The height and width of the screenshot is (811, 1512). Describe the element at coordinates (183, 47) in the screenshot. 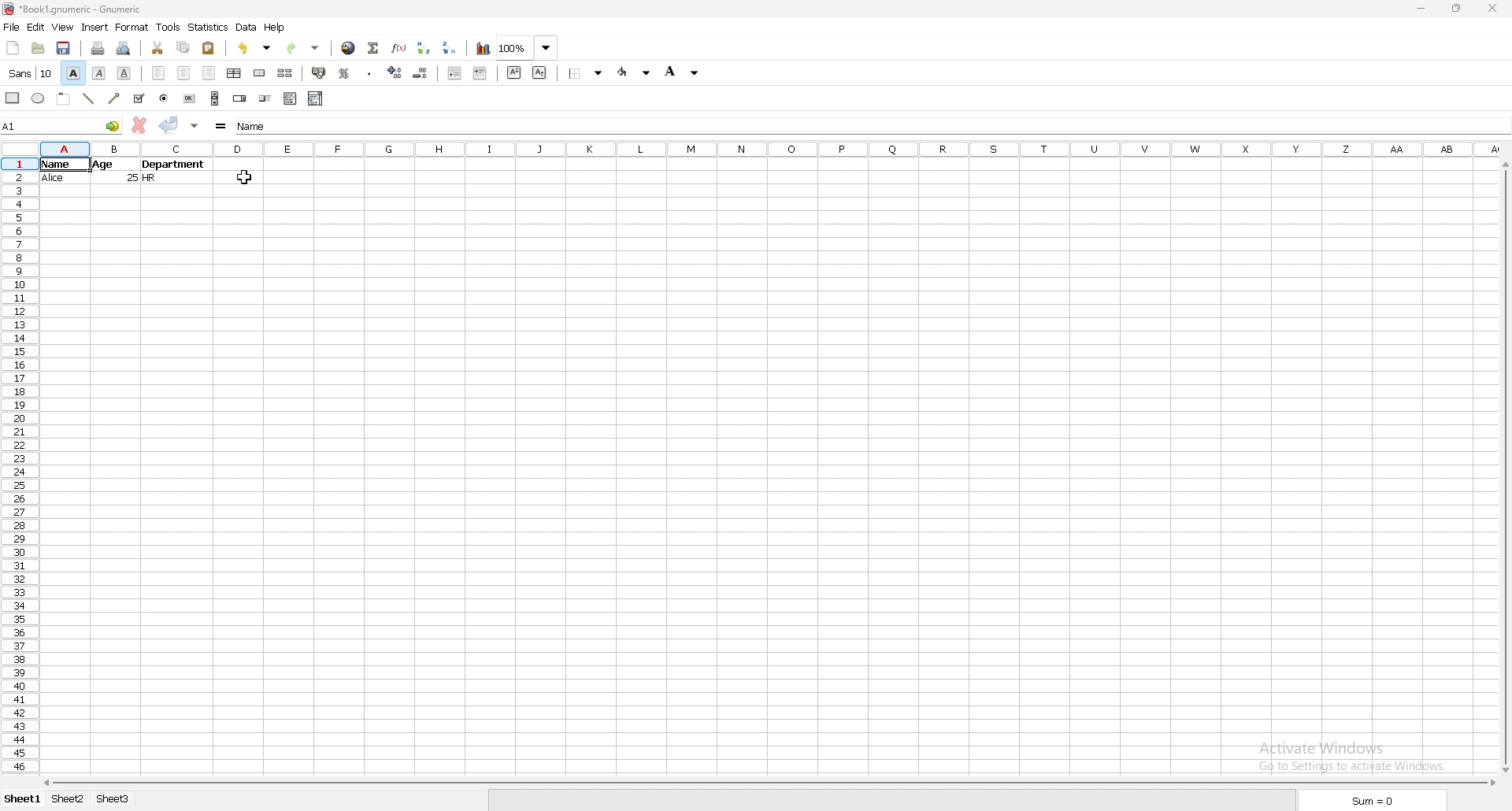

I see `copy` at that location.